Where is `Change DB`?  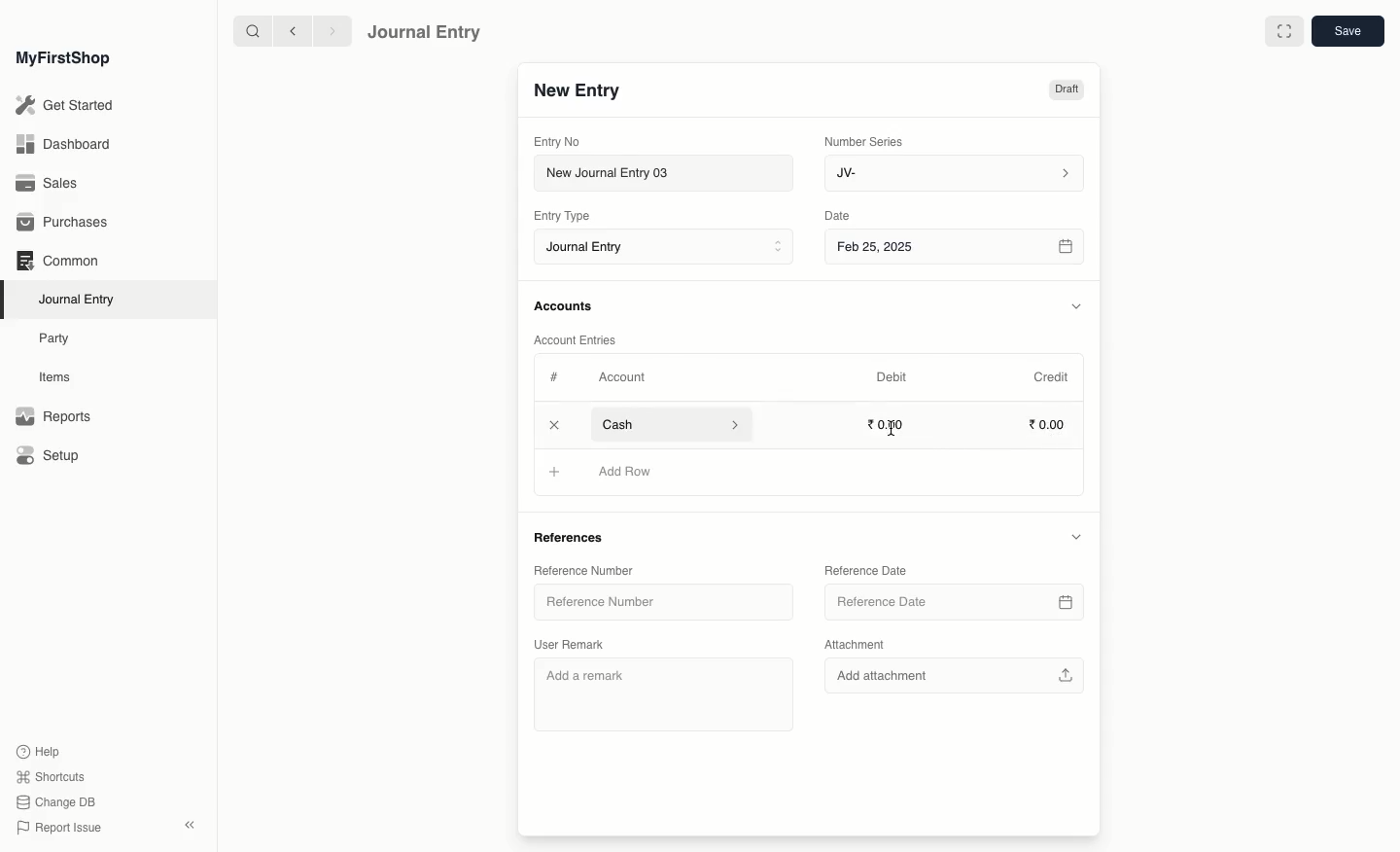
Change DB is located at coordinates (56, 803).